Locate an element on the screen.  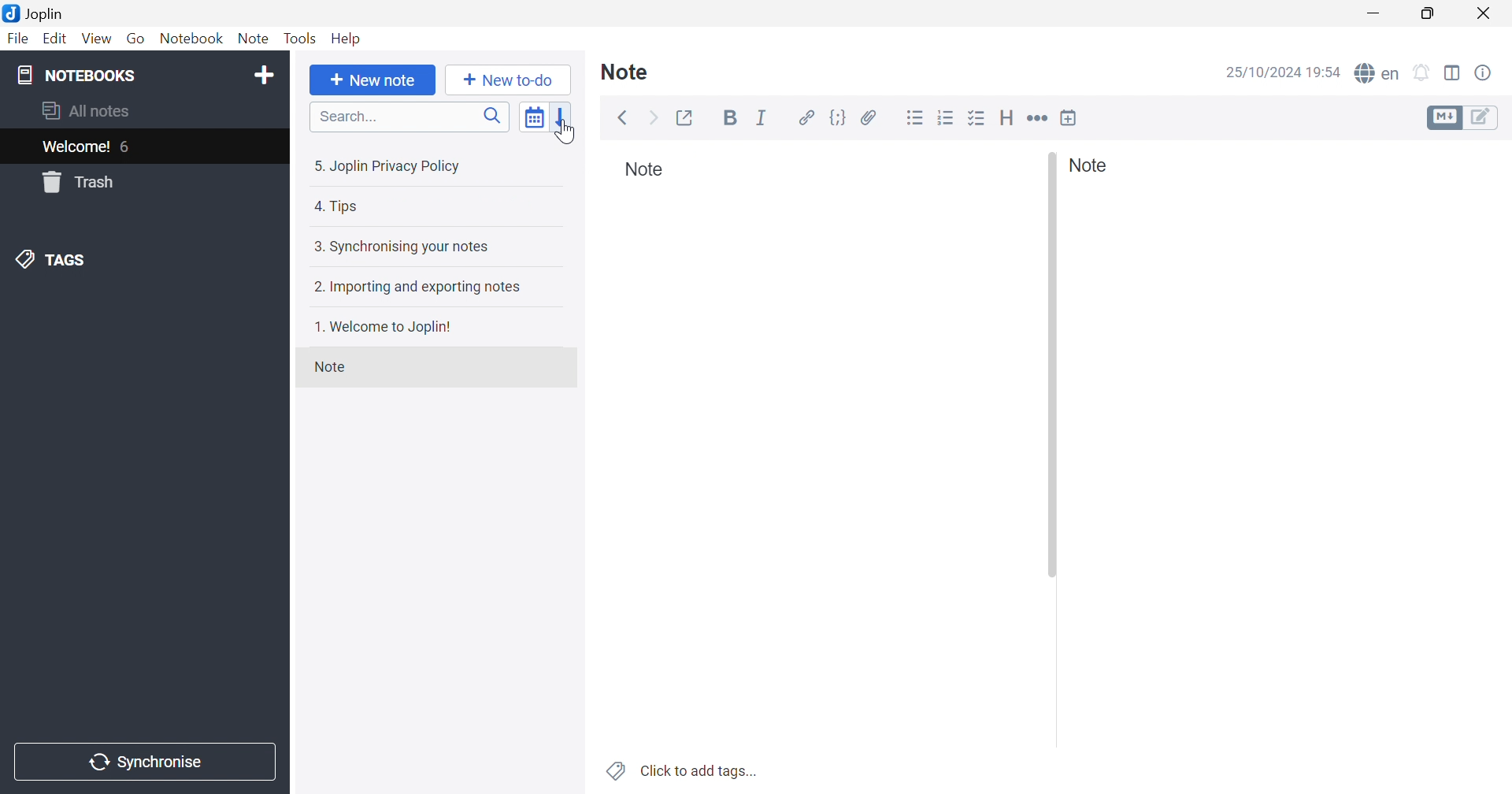
Note is located at coordinates (645, 171).